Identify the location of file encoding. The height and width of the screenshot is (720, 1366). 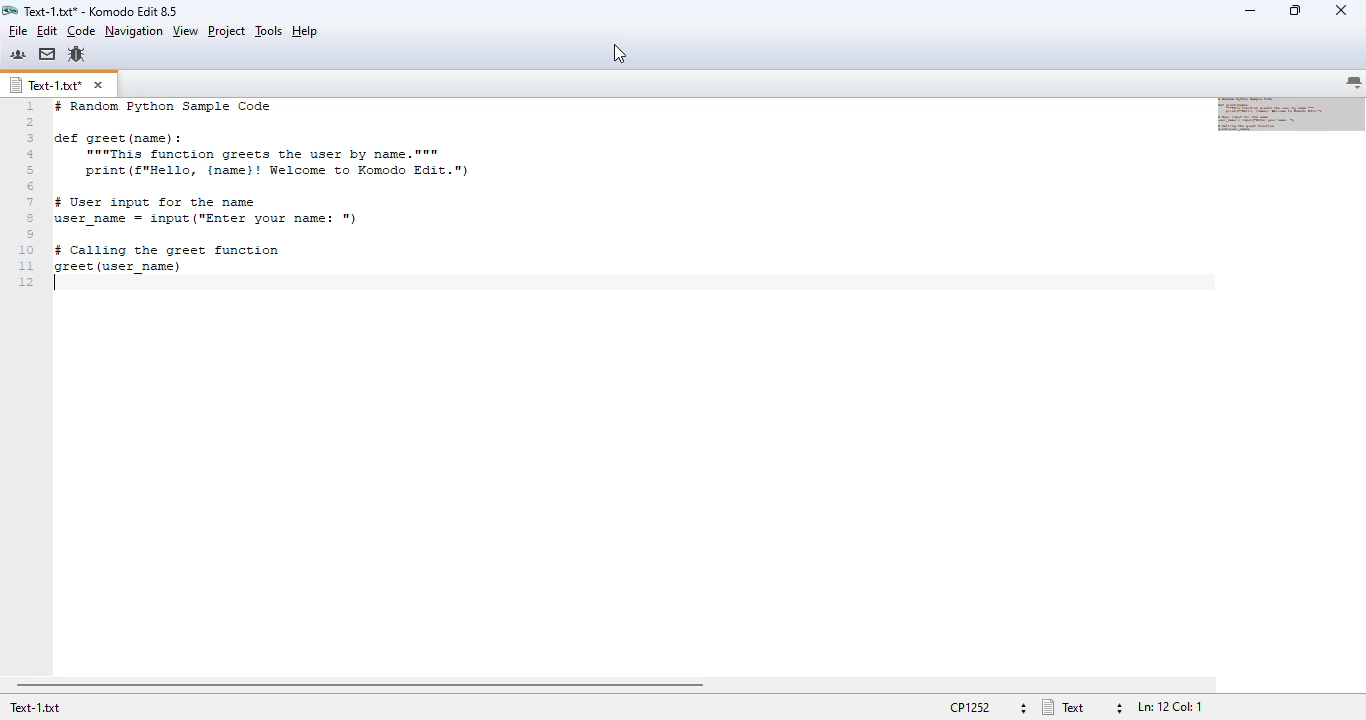
(989, 708).